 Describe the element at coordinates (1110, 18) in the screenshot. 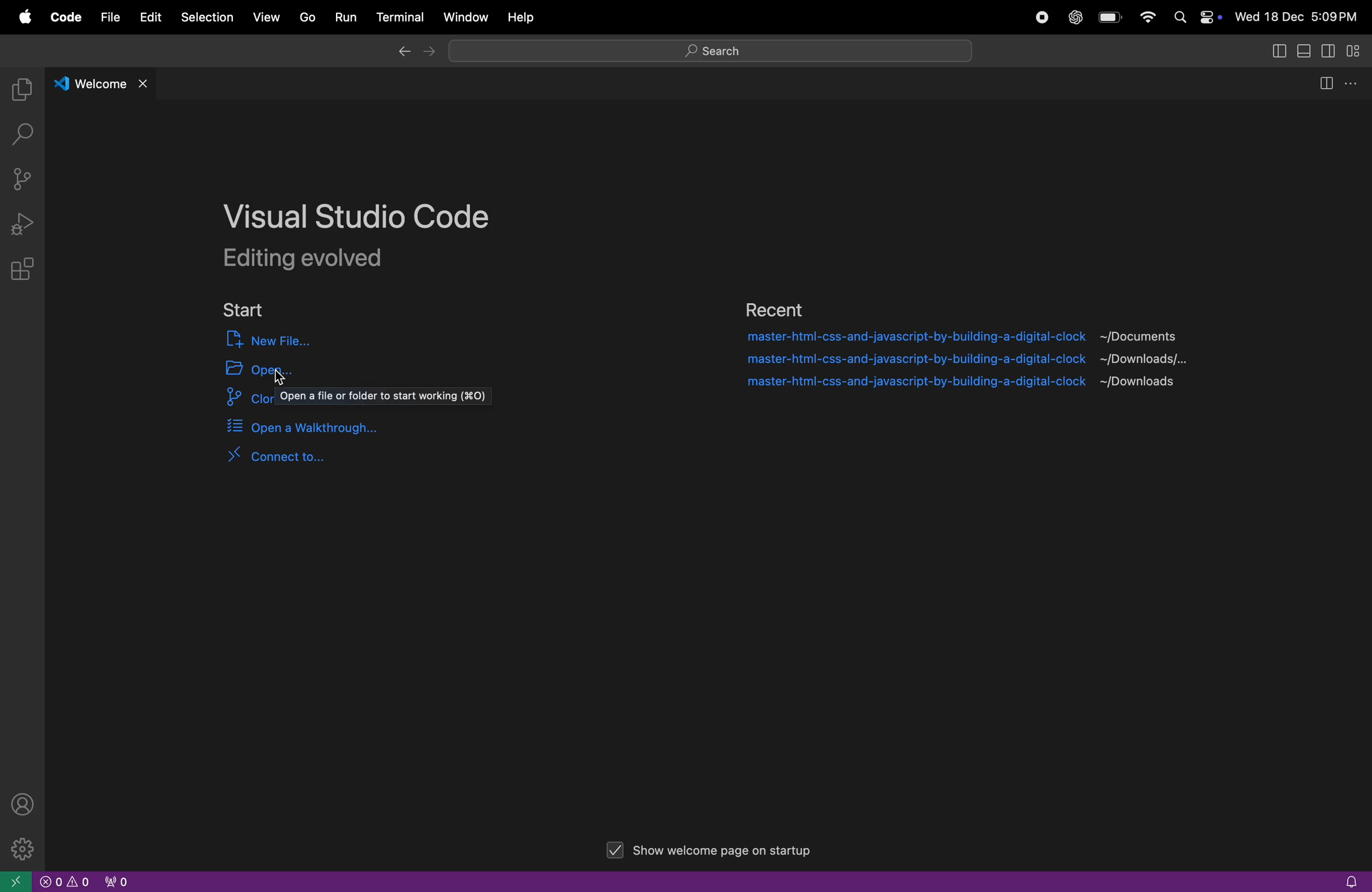

I see `battery` at that location.